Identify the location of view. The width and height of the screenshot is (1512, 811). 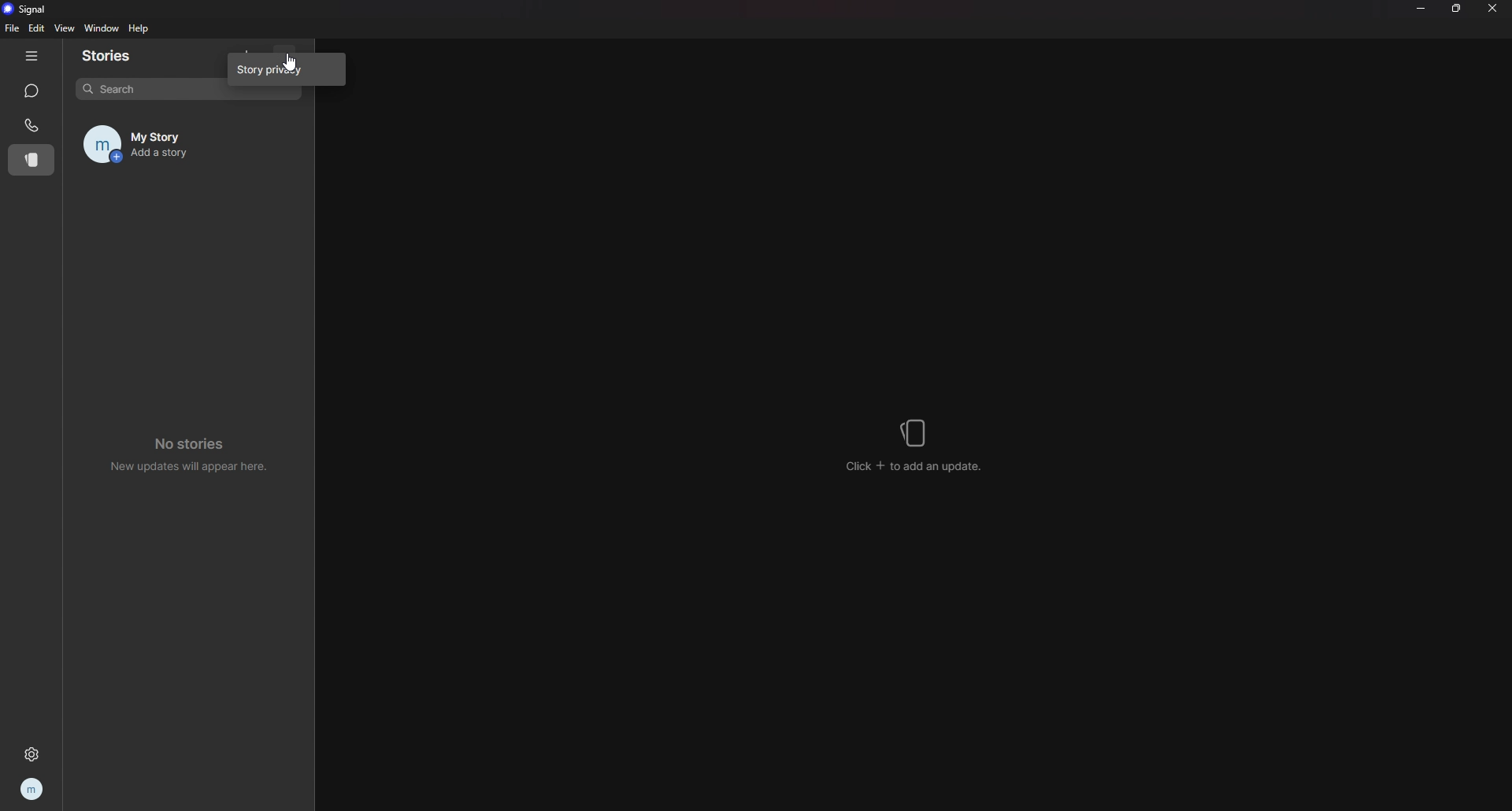
(64, 28).